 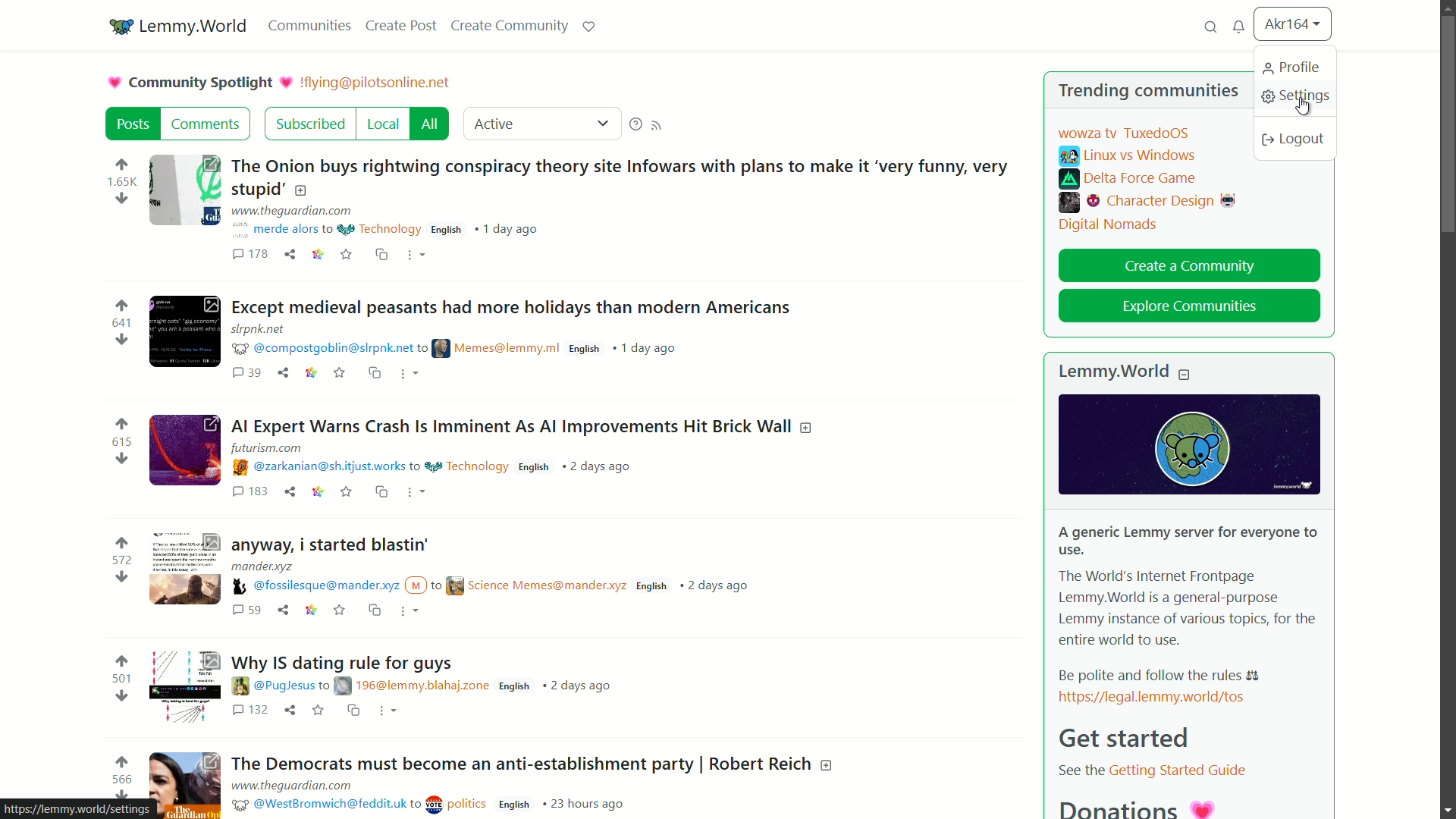 I want to click on support lemmy.world, so click(x=589, y=27).